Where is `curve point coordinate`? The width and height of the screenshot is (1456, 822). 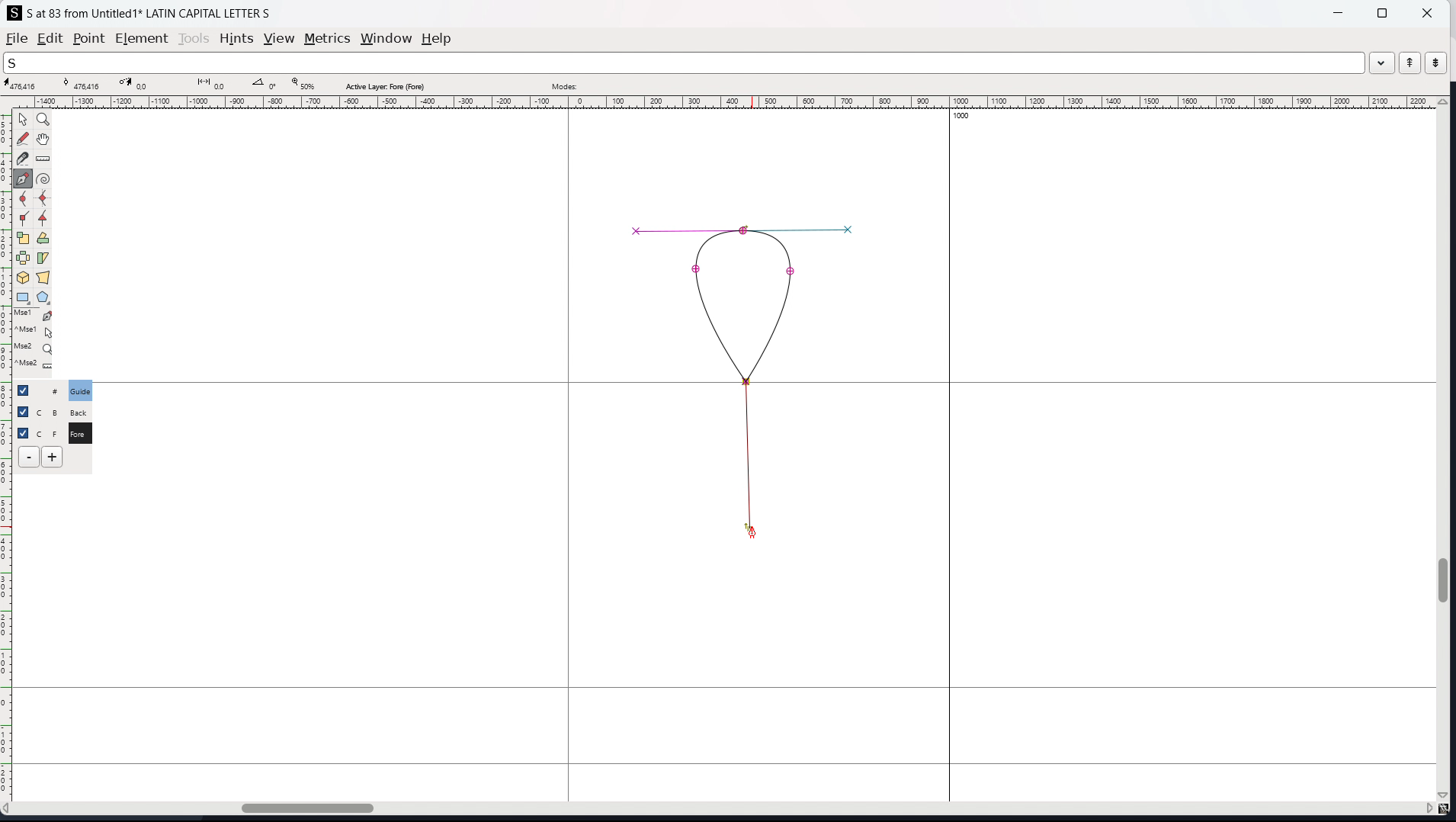 curve point coordinate is located at coordinates (86, 84).